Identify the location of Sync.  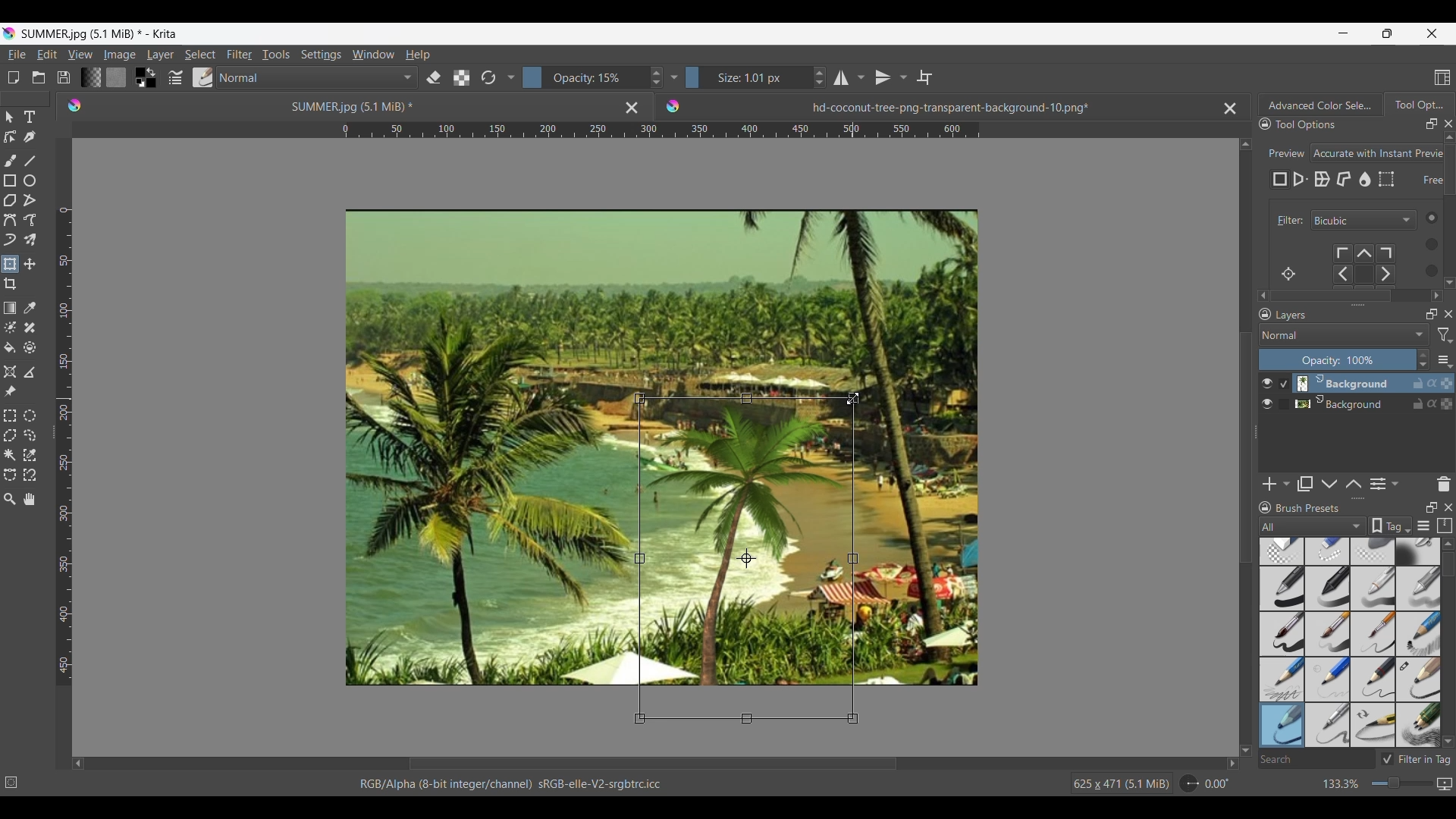
(1432, 400).